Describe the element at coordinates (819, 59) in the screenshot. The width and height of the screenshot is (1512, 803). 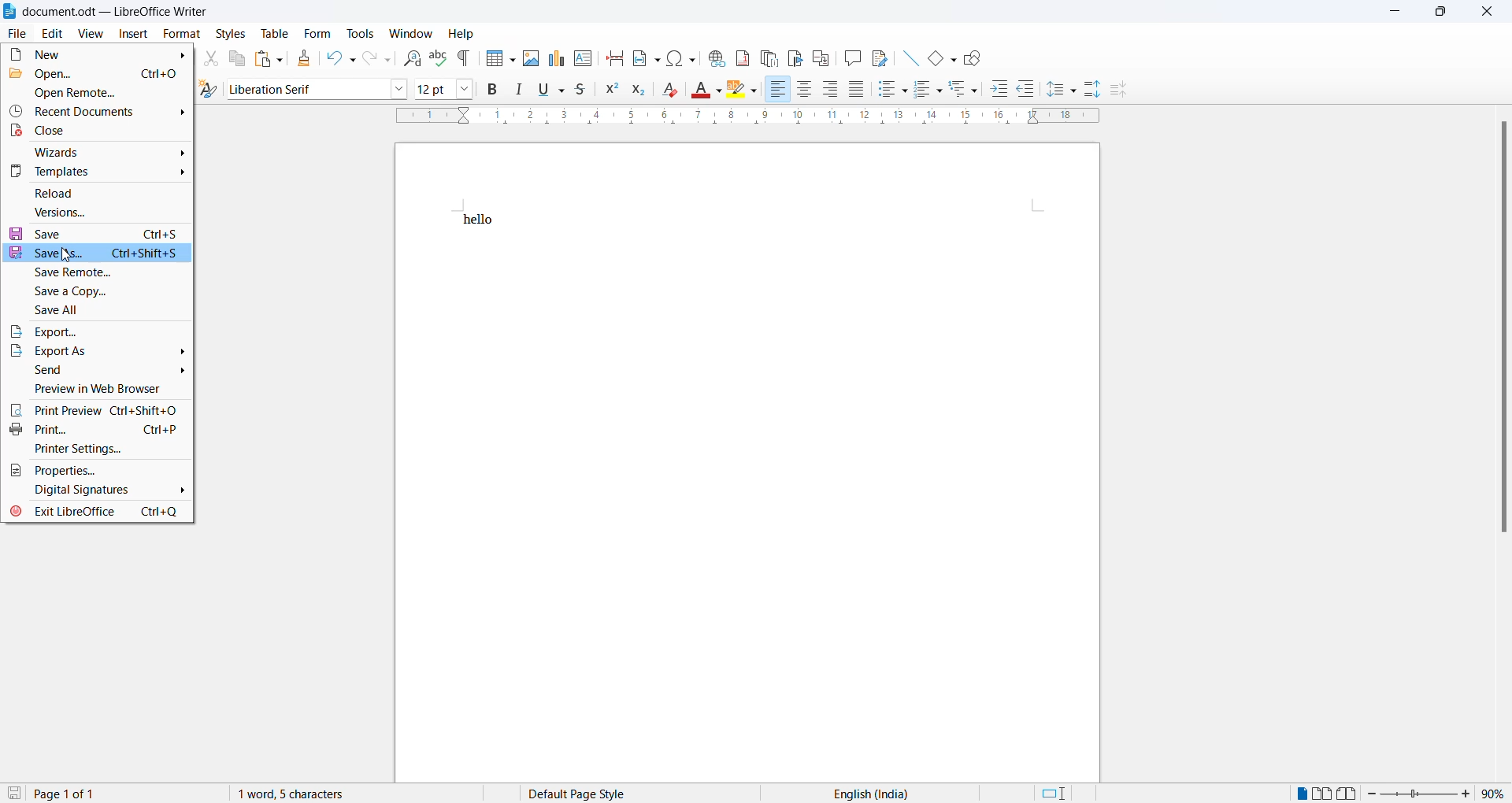
I see `Insert cross reference` at that location.